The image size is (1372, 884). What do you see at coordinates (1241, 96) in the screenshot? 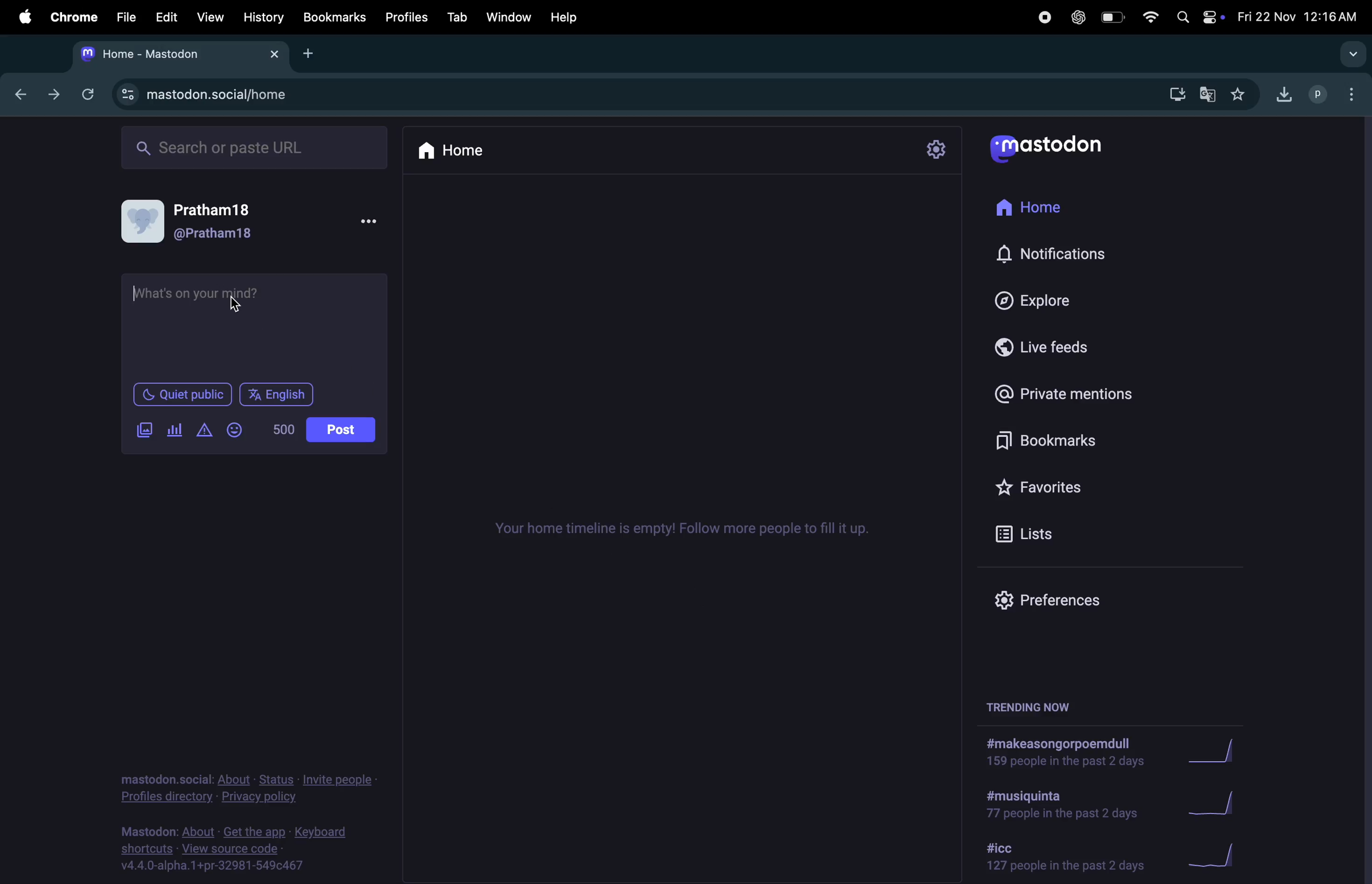
I see `favourites` at bounding box center [1241, 96].